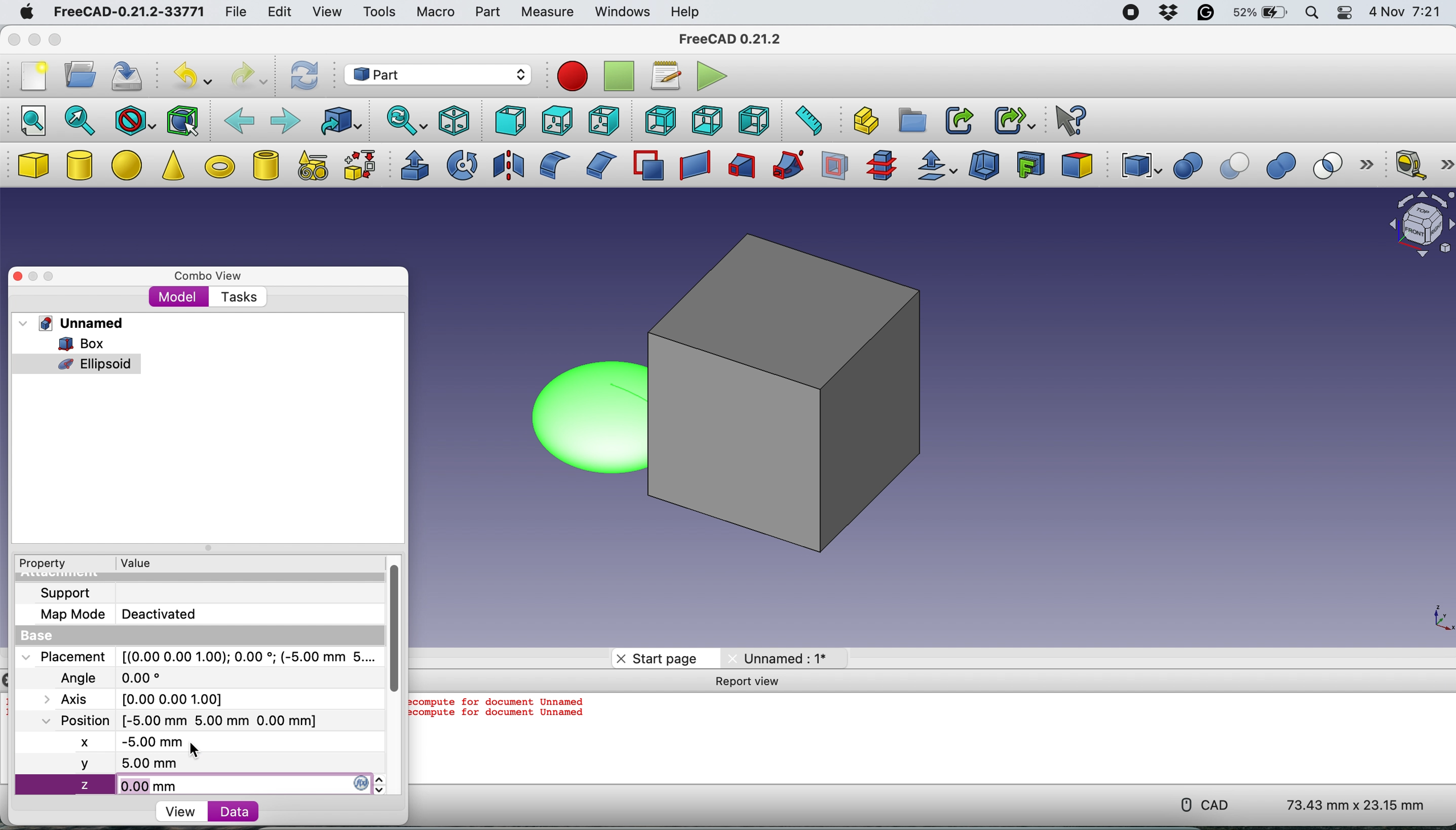  Describe the element at coordinates (1311, 14) in the screenshot. I see `spotlight search` at that location.